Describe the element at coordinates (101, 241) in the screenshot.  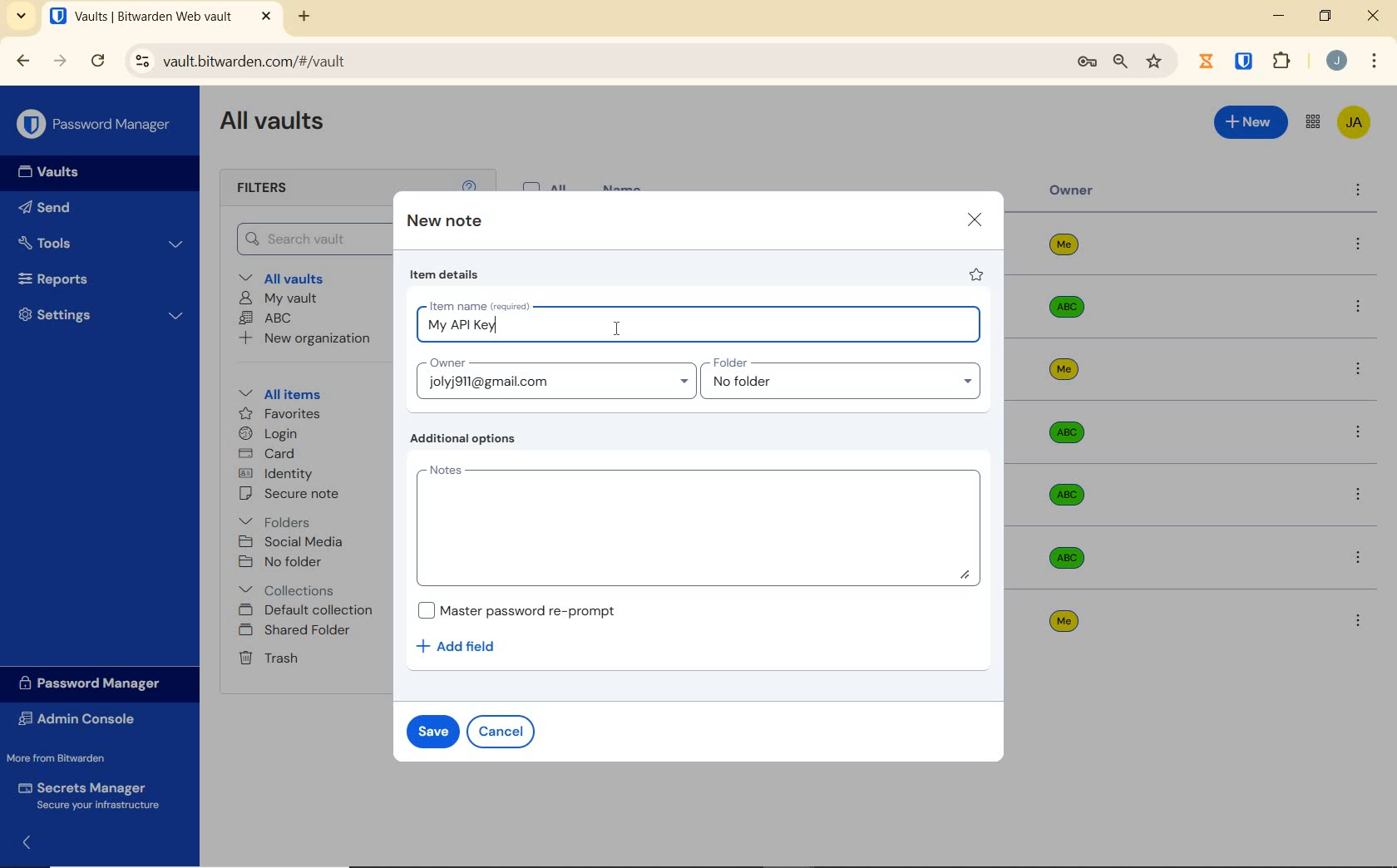
I see `Tools` at that location.